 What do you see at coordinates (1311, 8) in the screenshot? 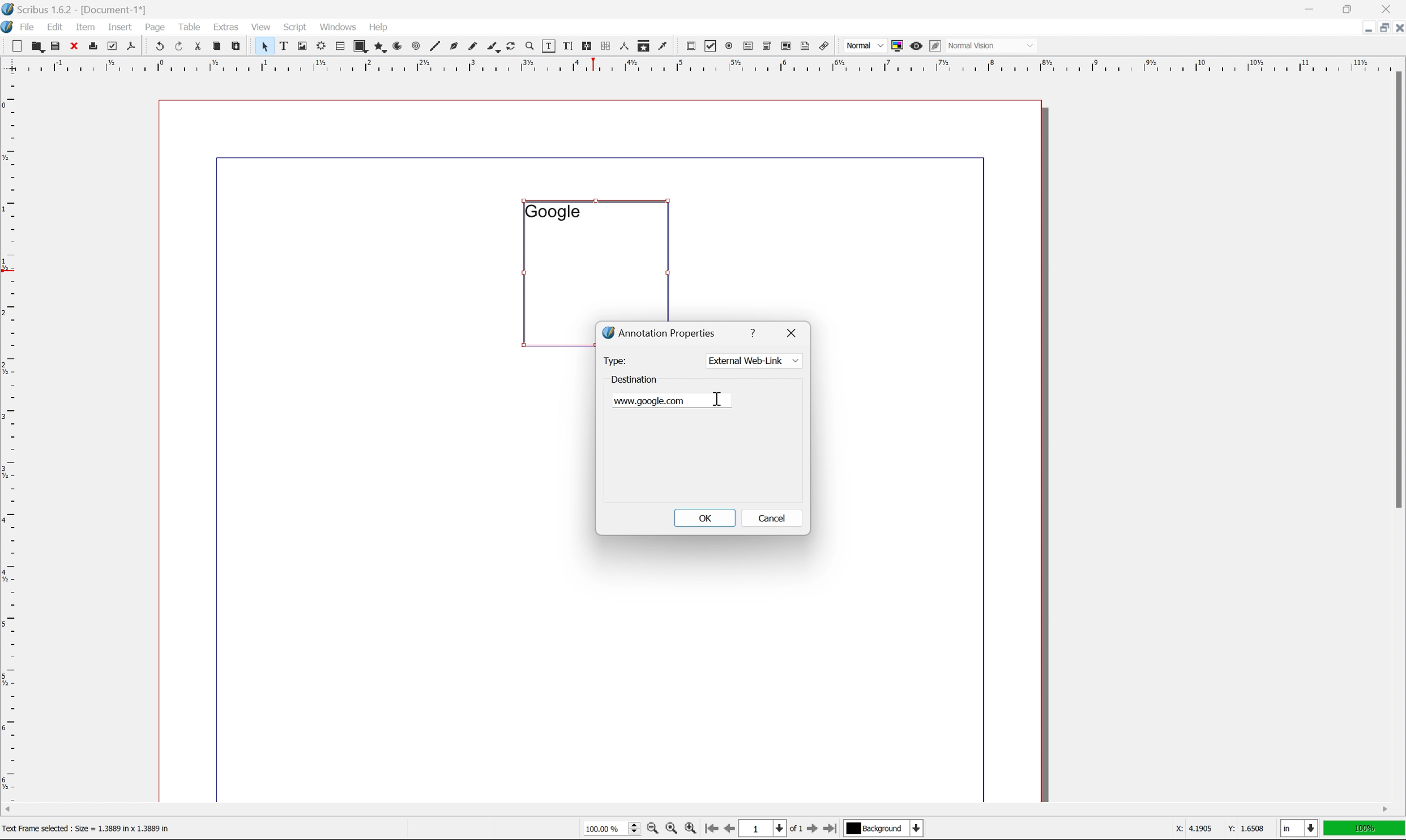
I see `minimize` at bounding box center [1311, 8].